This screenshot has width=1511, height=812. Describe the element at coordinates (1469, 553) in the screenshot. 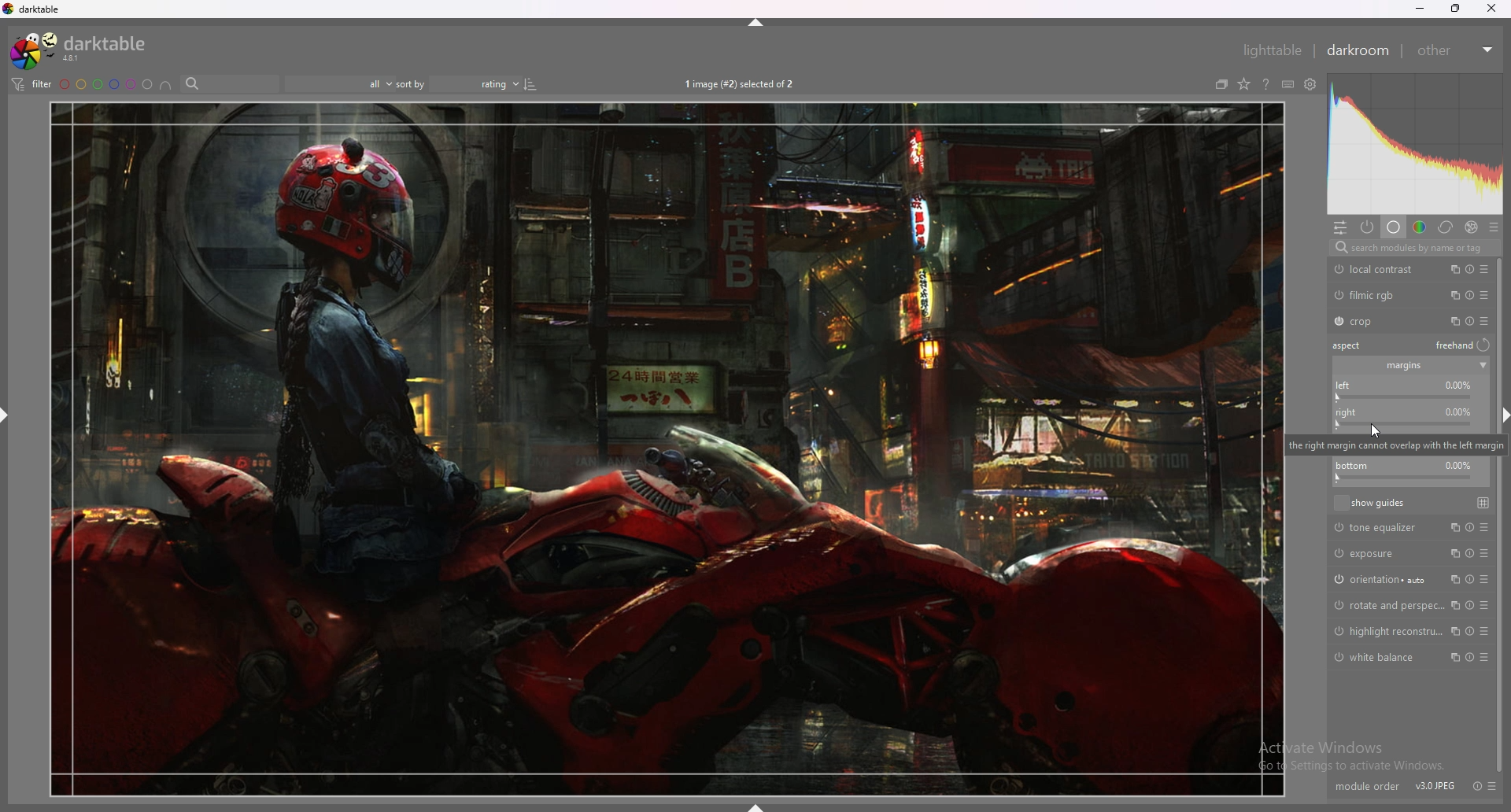

I see `reset` at that location.